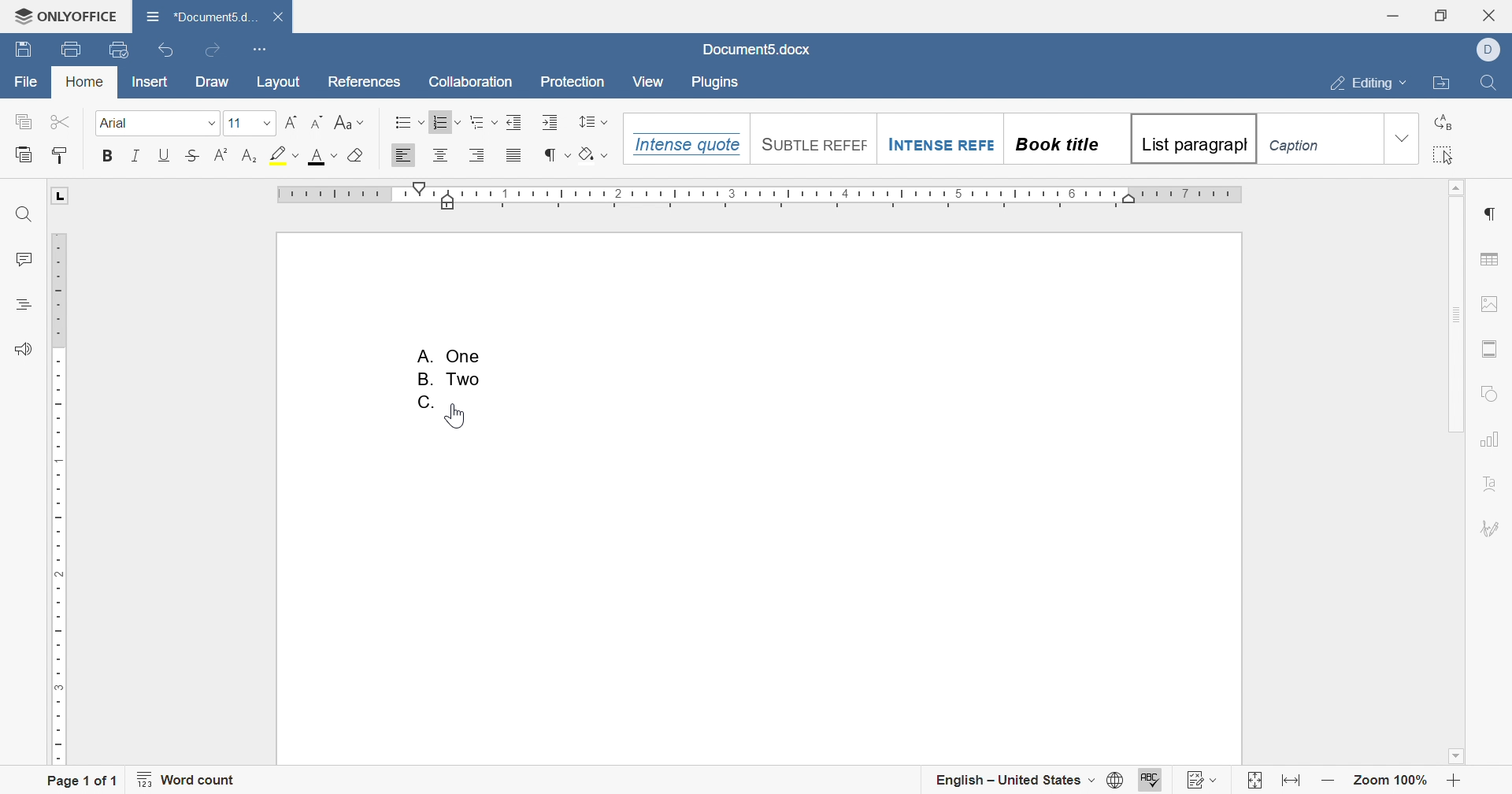 Image resolution: width=1512 pixels, height=794 pixels. Describe the element at coordinates (1489, 484) in the screenshot. I see `text art settings` at that location.